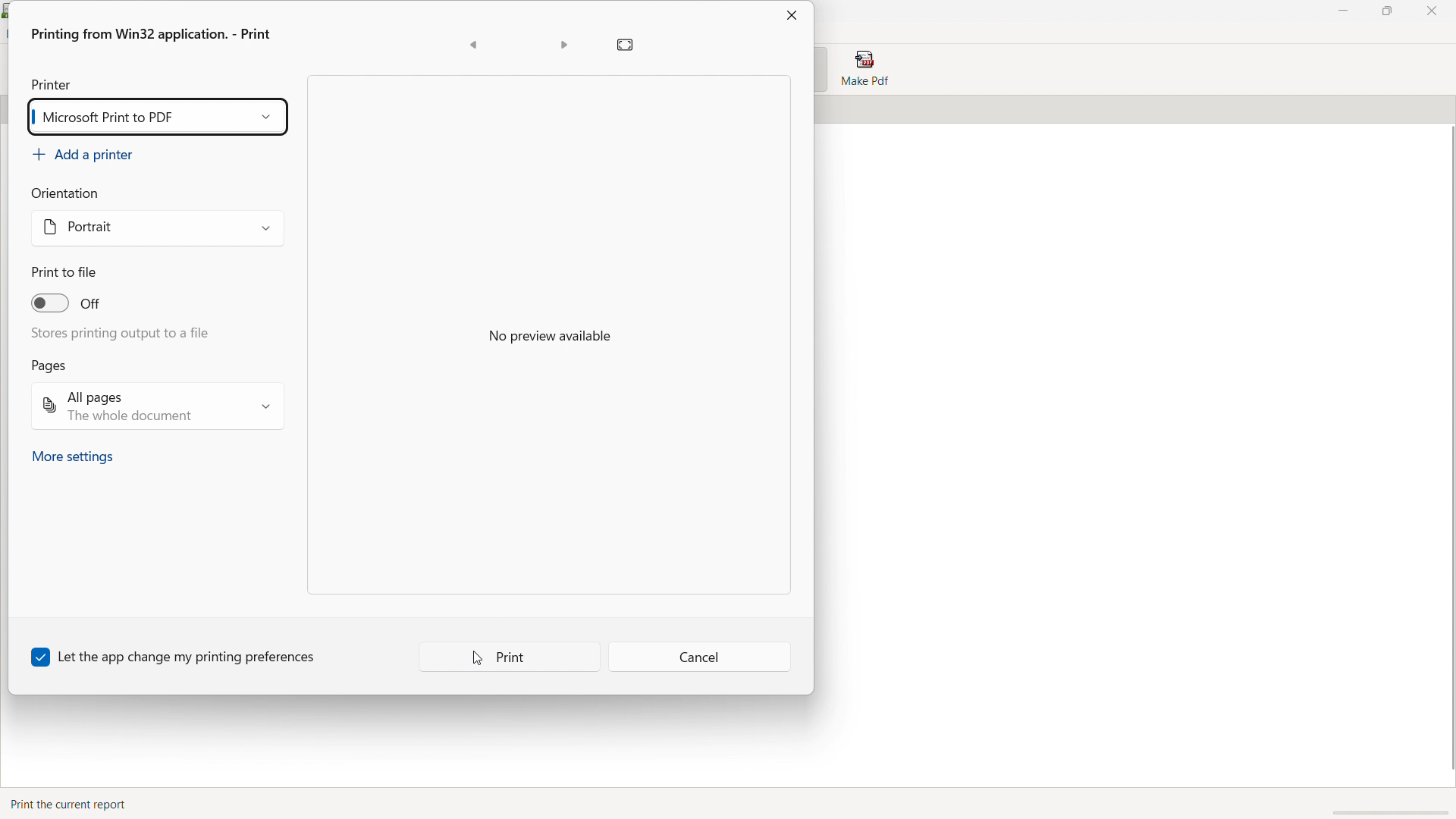 The height and width of the screenshot is (819, 1456). Describe the element at coordinates (1431, 11) in the screenshot. I see `close` at that location.